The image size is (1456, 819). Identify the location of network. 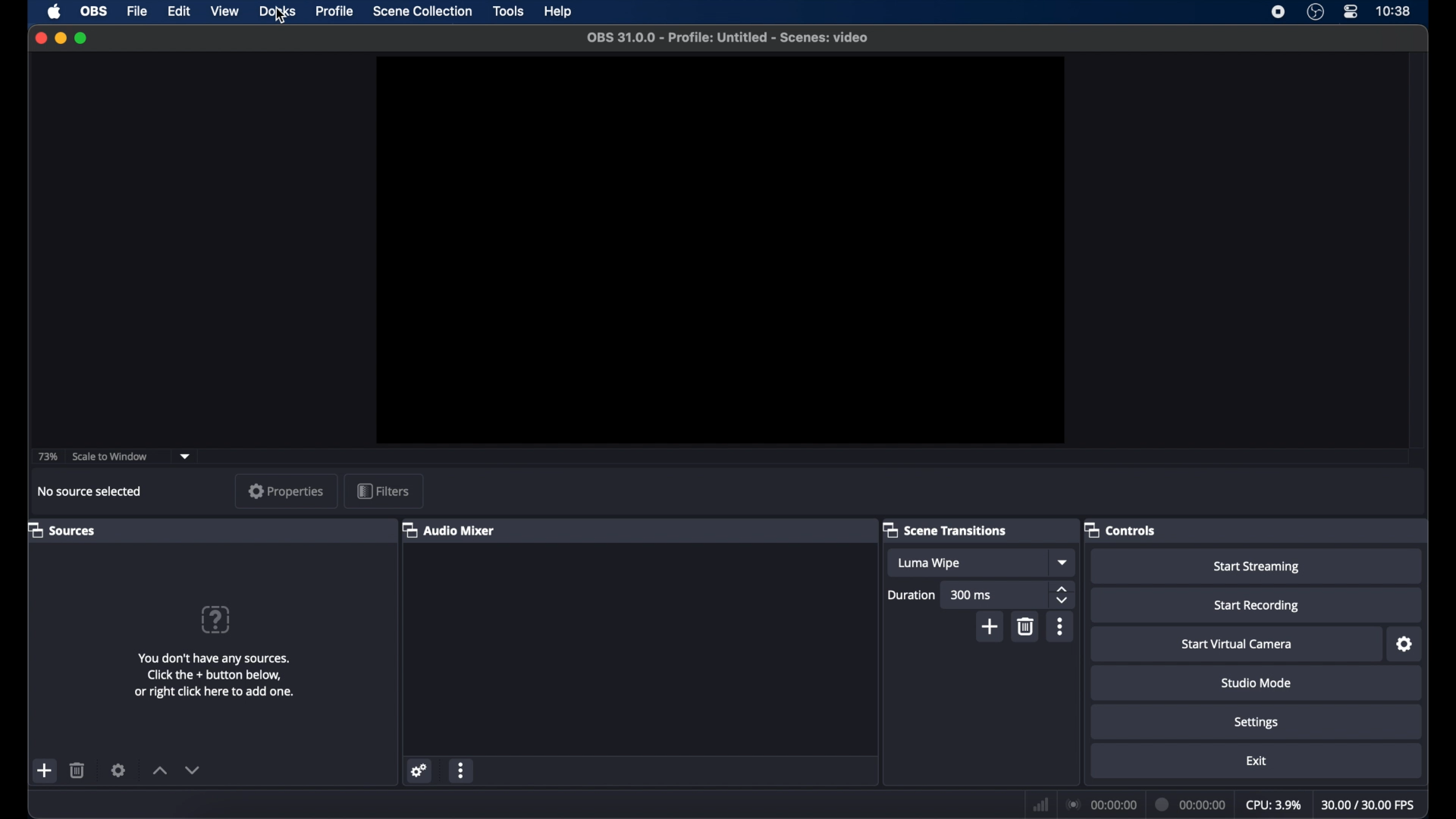
(419, 770).